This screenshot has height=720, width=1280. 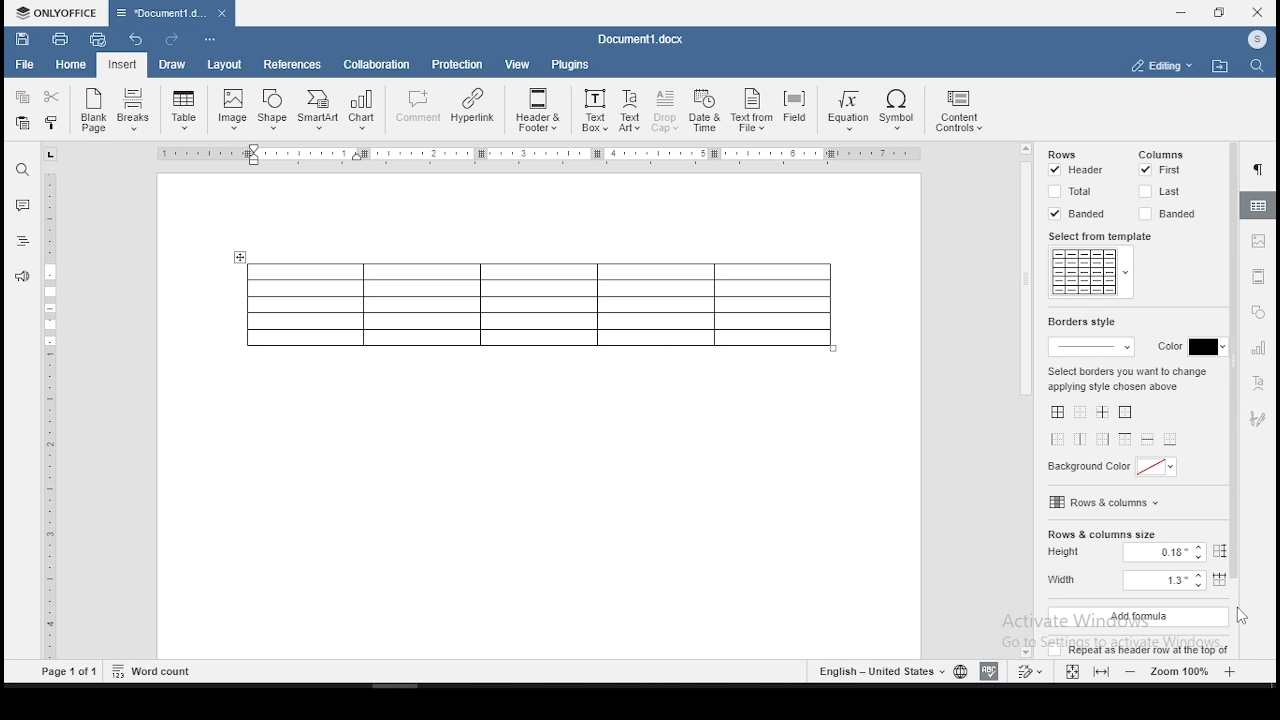 What do you see at coordinates (1112, 467) in the screenshot?
I see `background color` at bounding box center [1112, 467].